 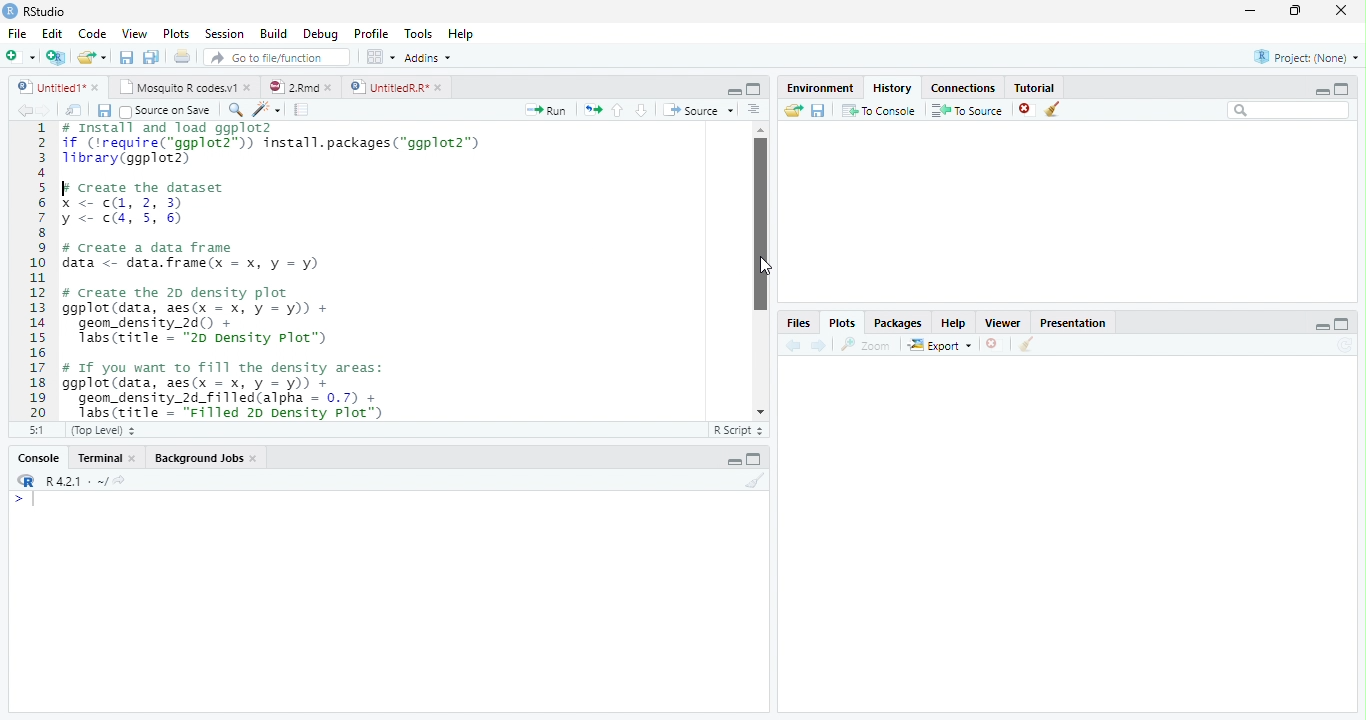 I want to click on print current file, so click(x=182, y=56).